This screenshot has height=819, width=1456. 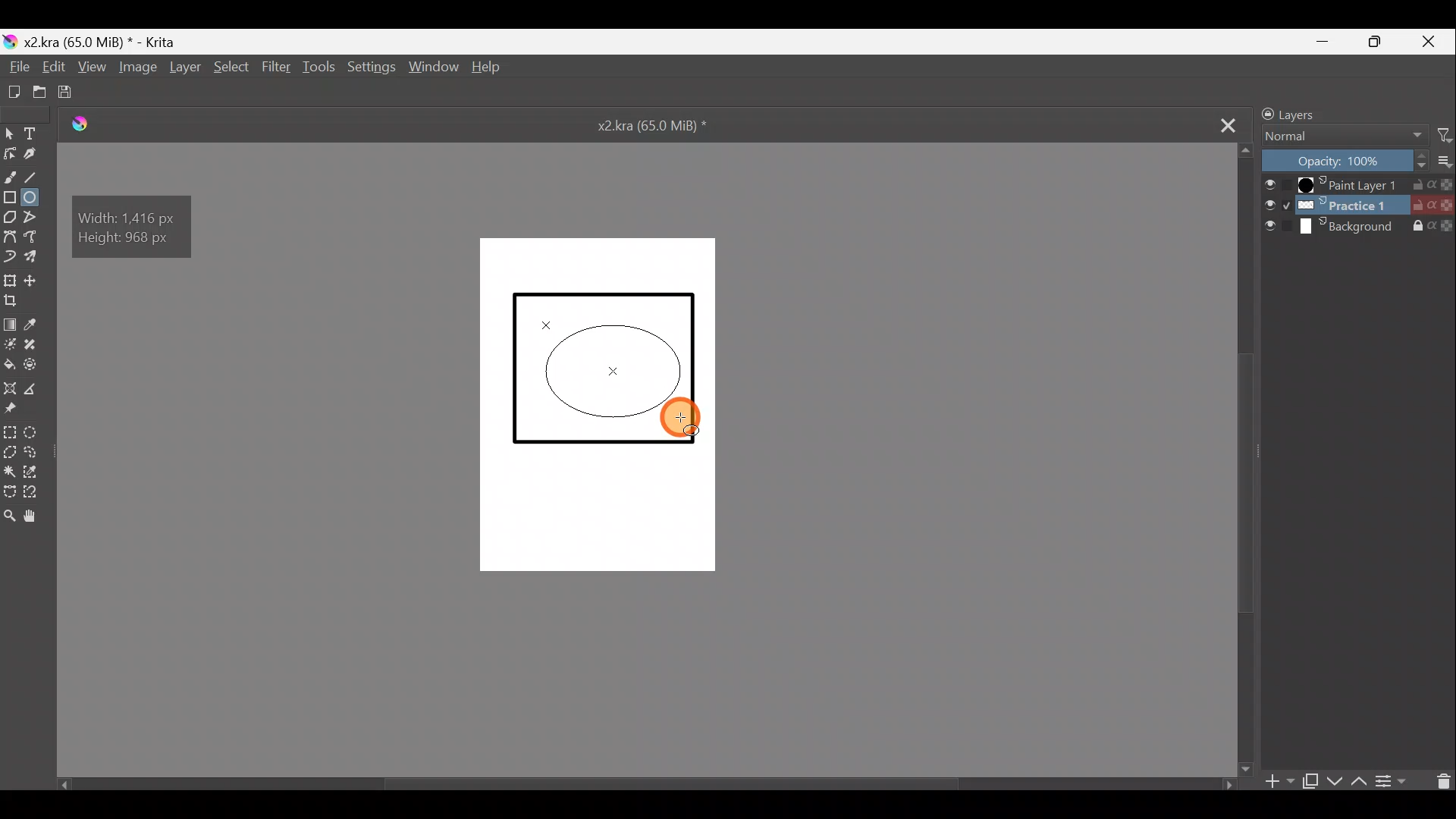 I want to click on Polyline tool, so click(x=36, y=218).